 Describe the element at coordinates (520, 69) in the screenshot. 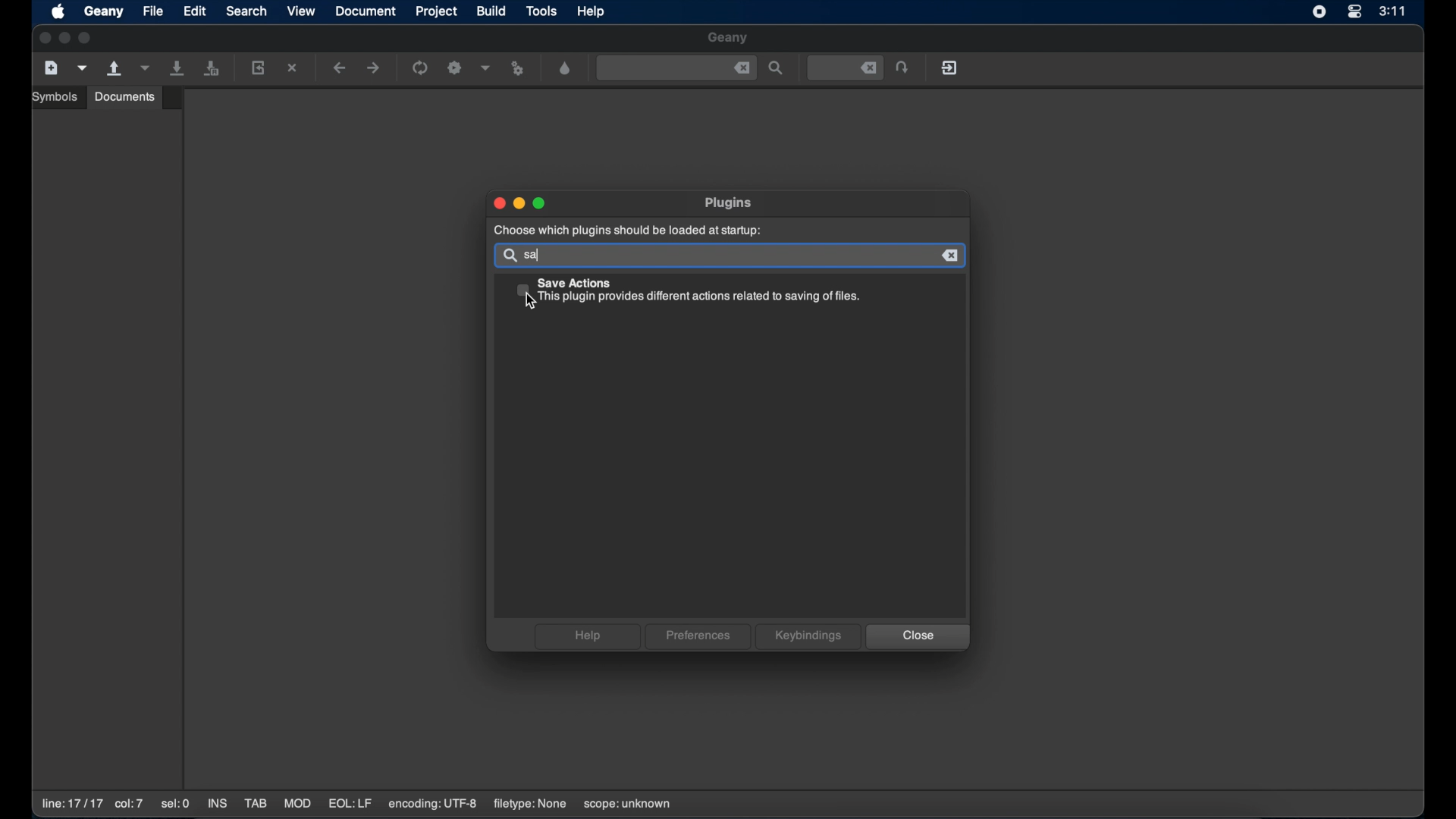

I see `run or view the current file file` at that location.